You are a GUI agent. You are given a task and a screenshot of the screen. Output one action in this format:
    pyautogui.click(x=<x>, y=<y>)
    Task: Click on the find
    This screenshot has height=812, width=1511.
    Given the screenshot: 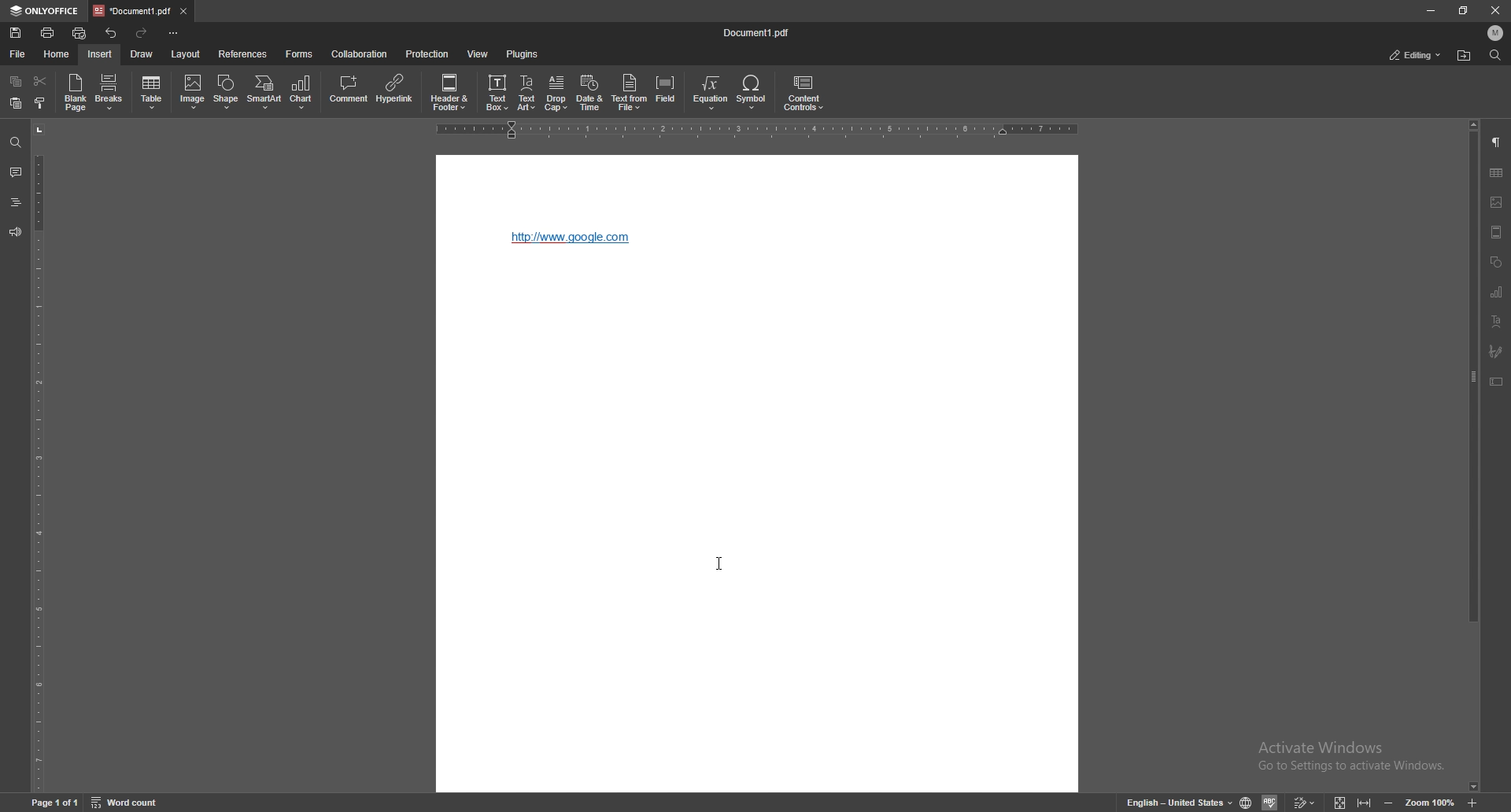 What is the action you would take?
    pyautogui.click(x=1495, y=55)
    